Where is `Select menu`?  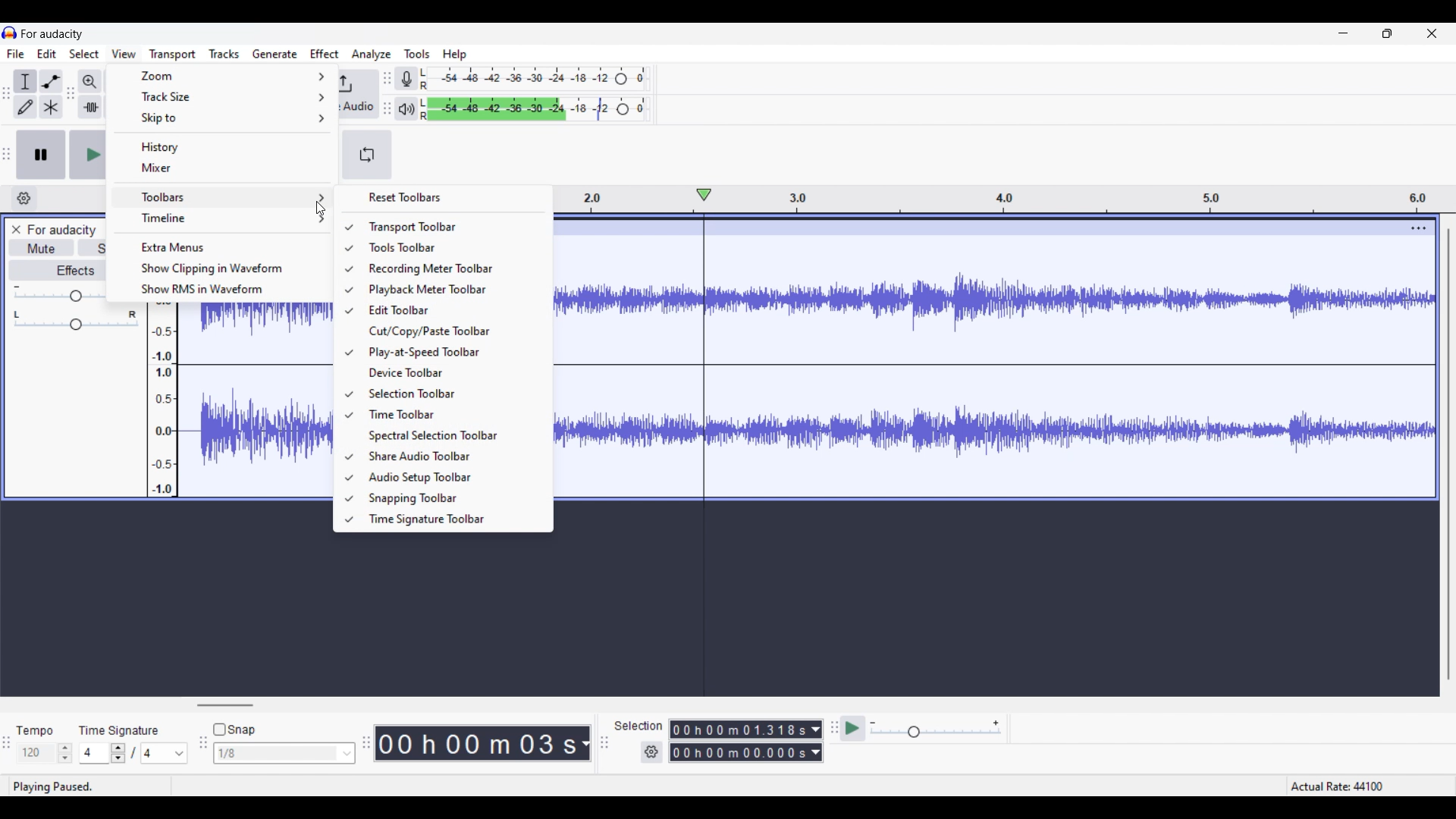
Select menu is located at coordinates (84, 54).